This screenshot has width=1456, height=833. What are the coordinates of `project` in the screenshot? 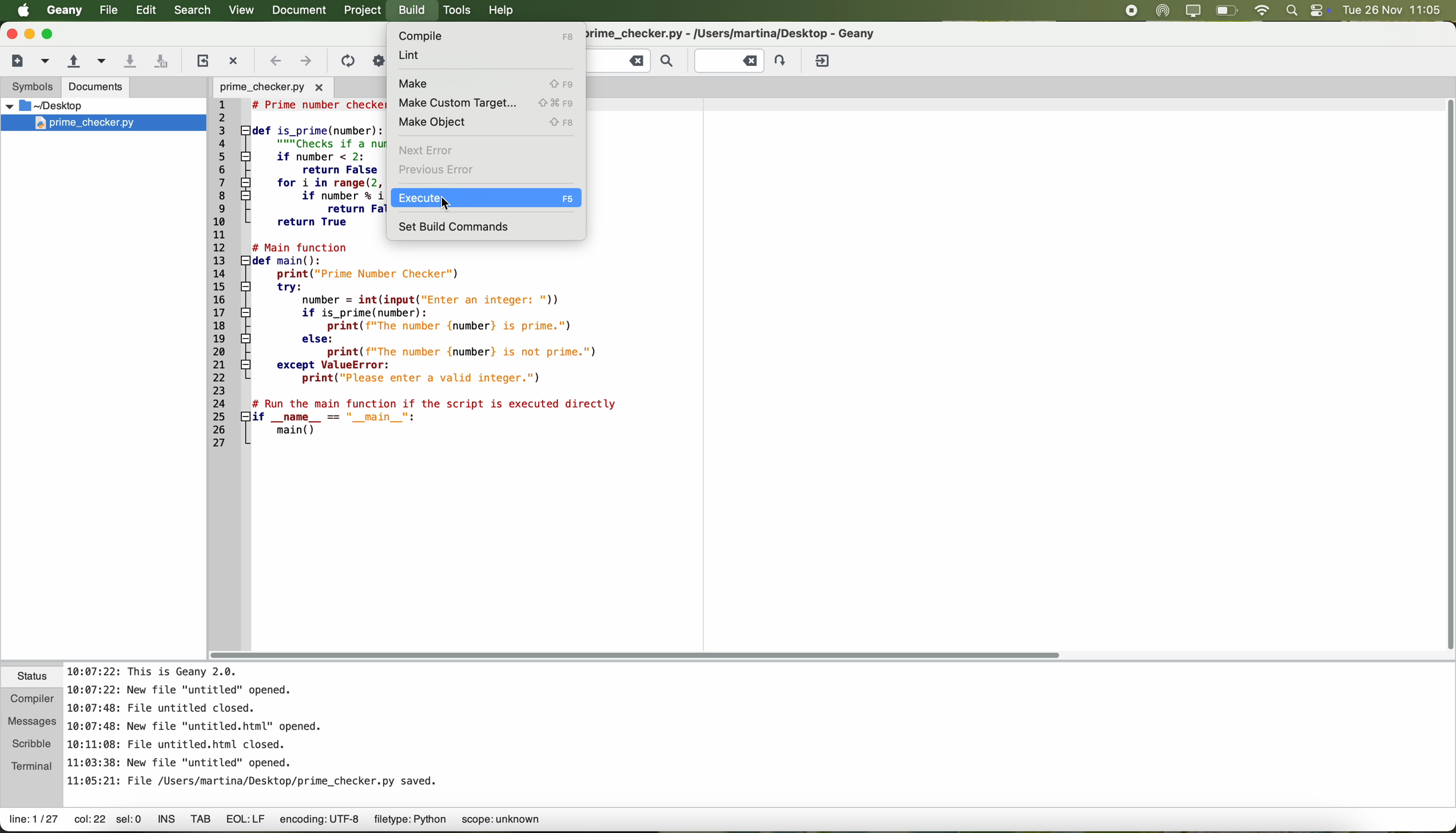 It's located at (365, 11).